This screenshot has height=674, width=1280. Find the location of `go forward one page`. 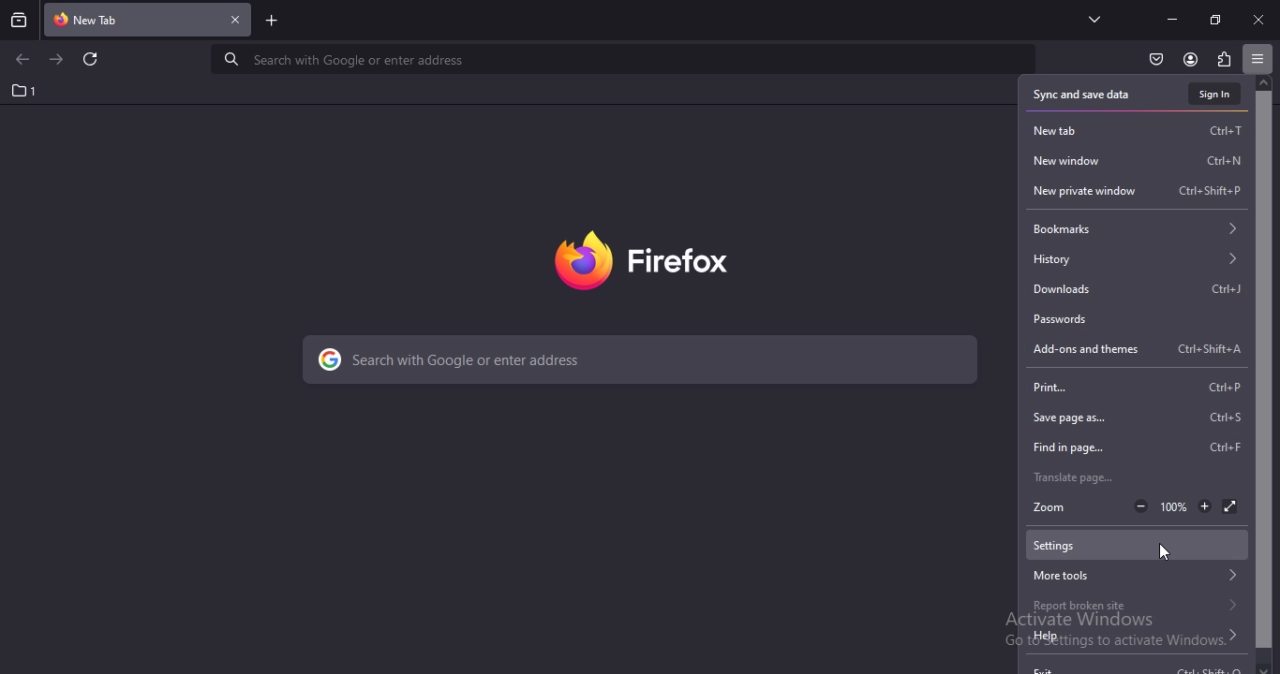

go forward one page is located at coordinates (58, 60).